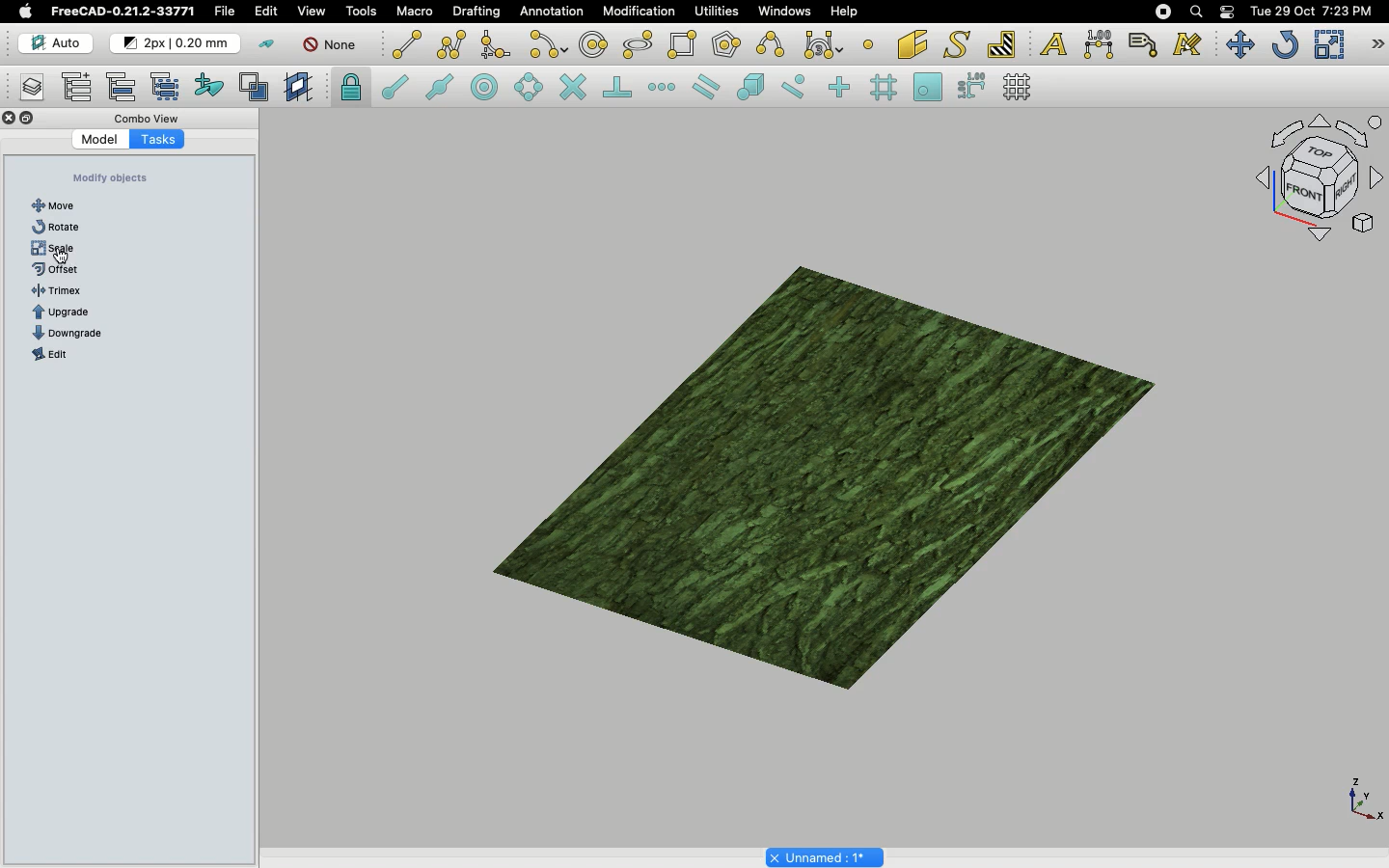 The image size is (1389, 868). I want to click on Macro, so click(416, 12).